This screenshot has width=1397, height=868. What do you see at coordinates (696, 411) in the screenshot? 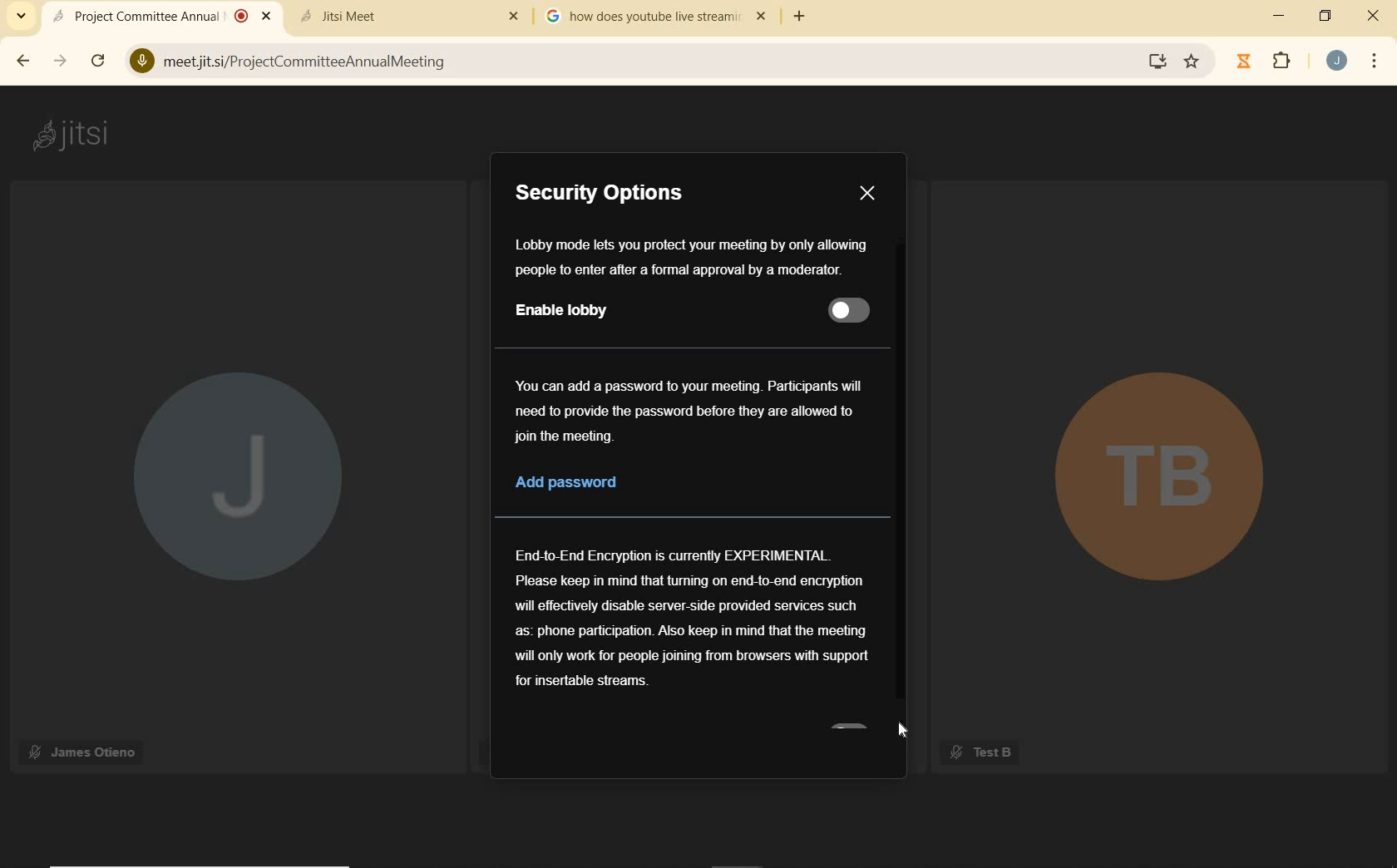
I see `You can add a password to your meeting. Participants willneed to provide the password before they are allowed to join the meeting` at bounding box center [696, 411].